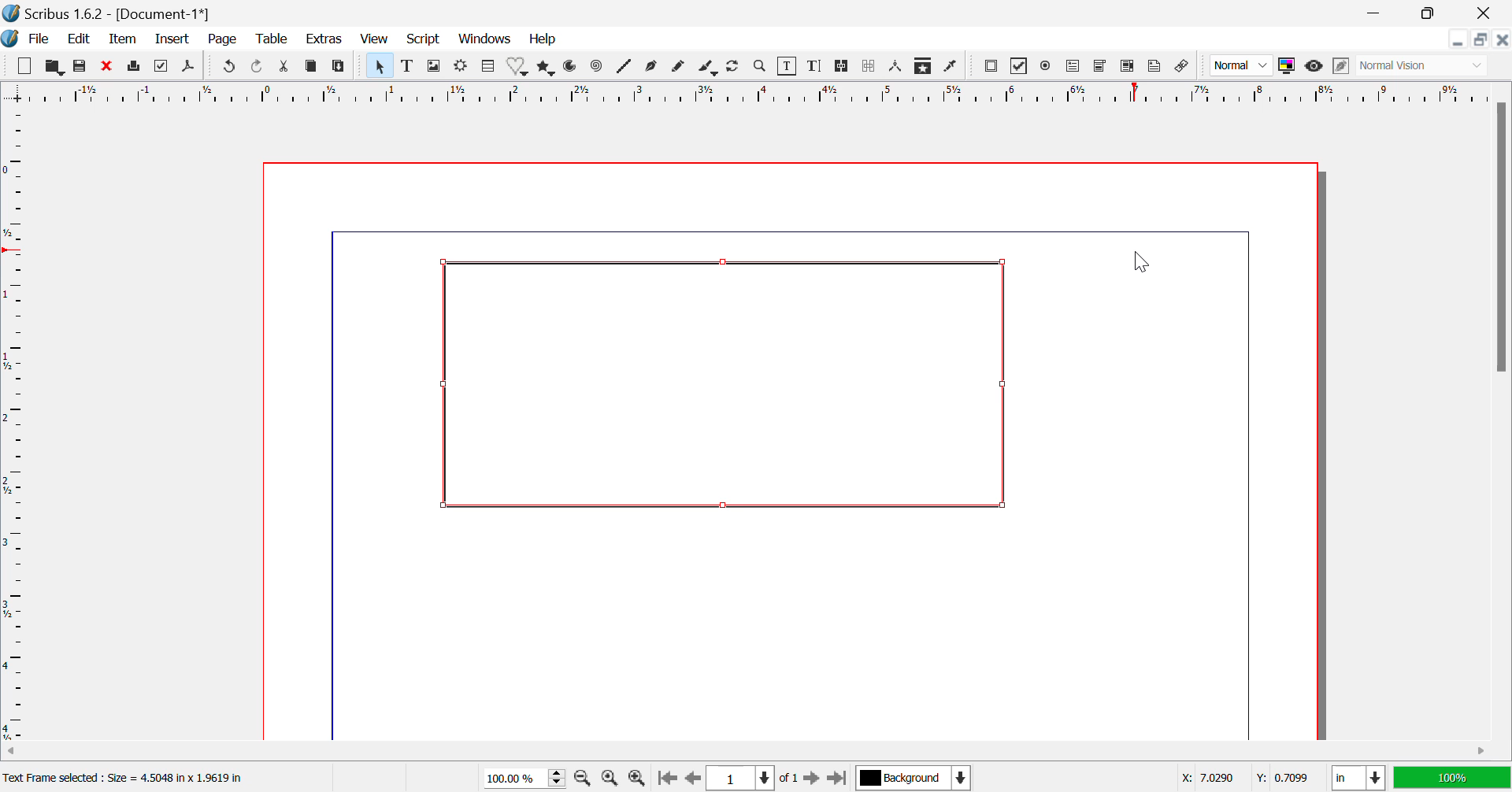 The width and height of the screenshot is (1512, 792). What do you see at coordinates (836, 777) in the screenshot?
I see `Last Page` at bounding box center [836, 777].